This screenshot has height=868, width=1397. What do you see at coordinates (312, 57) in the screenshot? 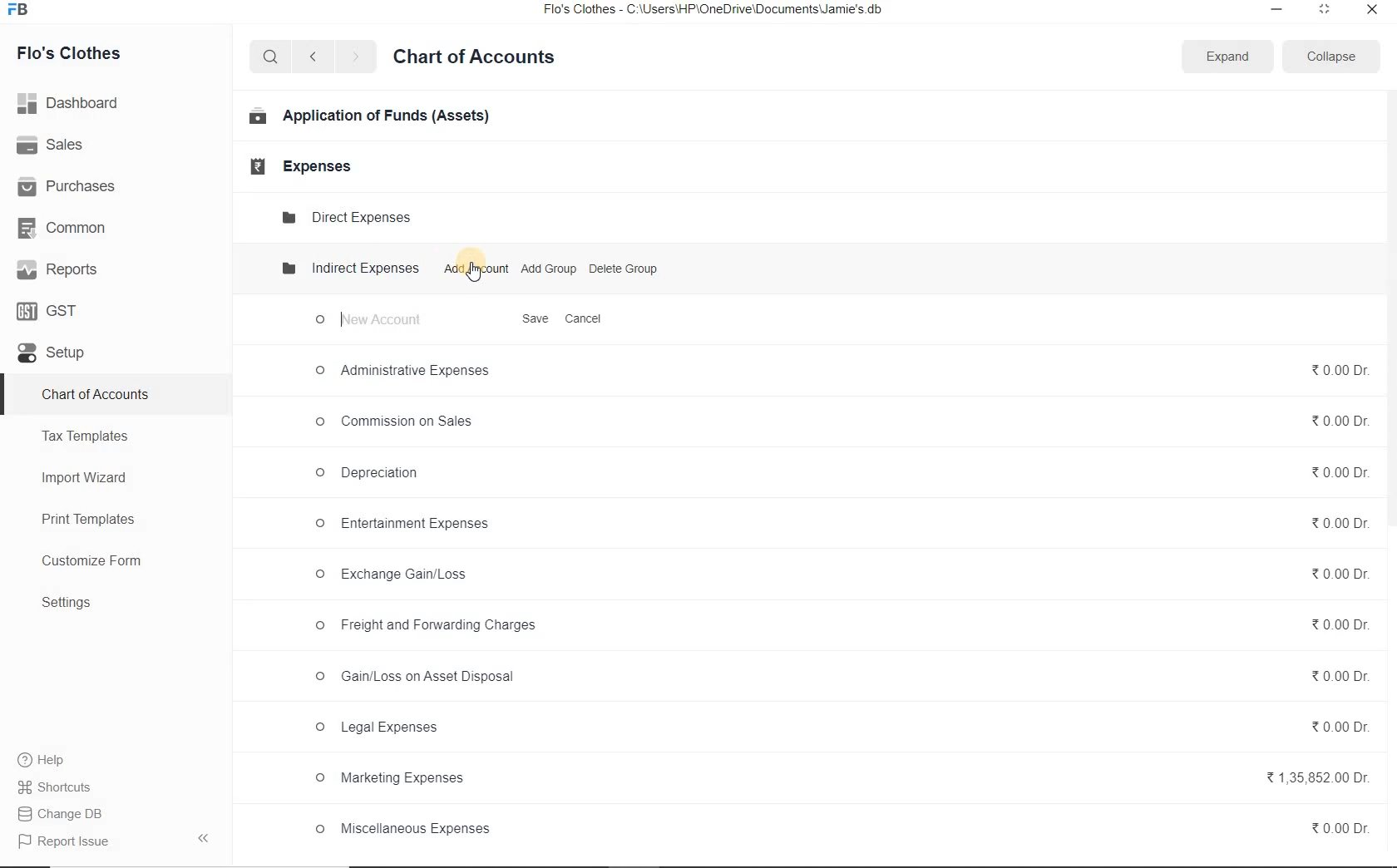
I see `previous` at bounding box center [312, 57].